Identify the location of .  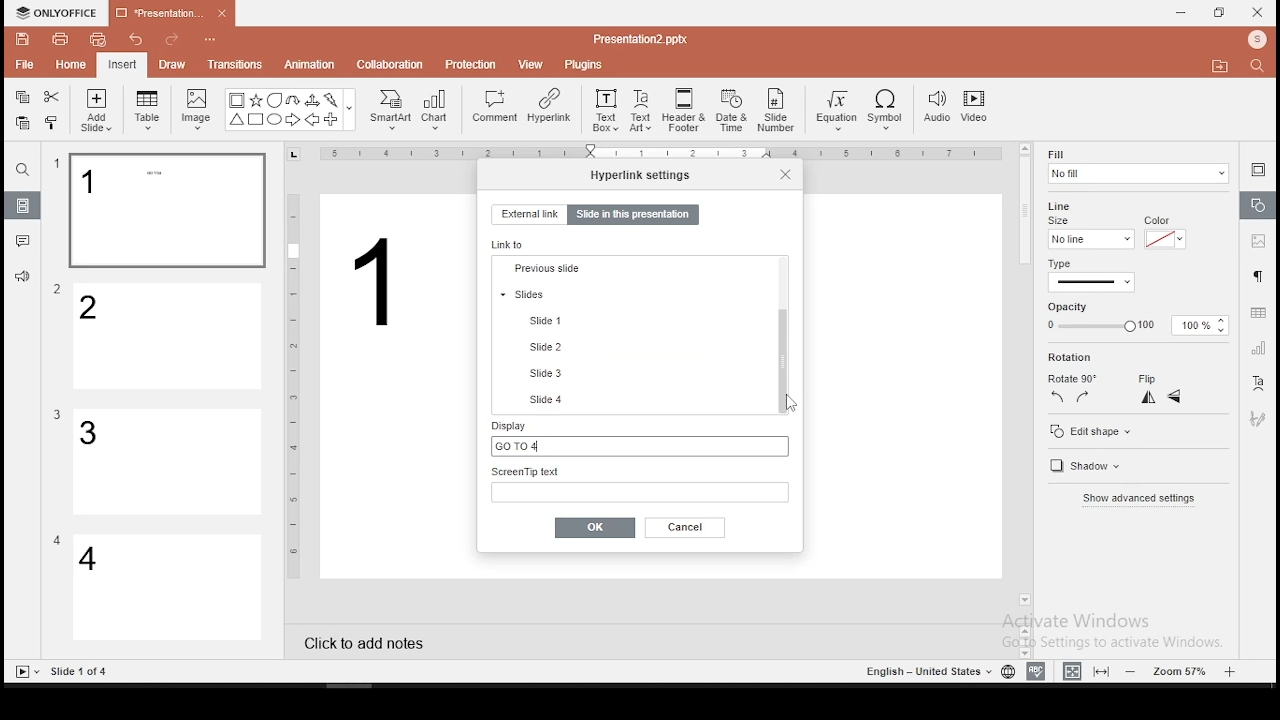
(640, 38).